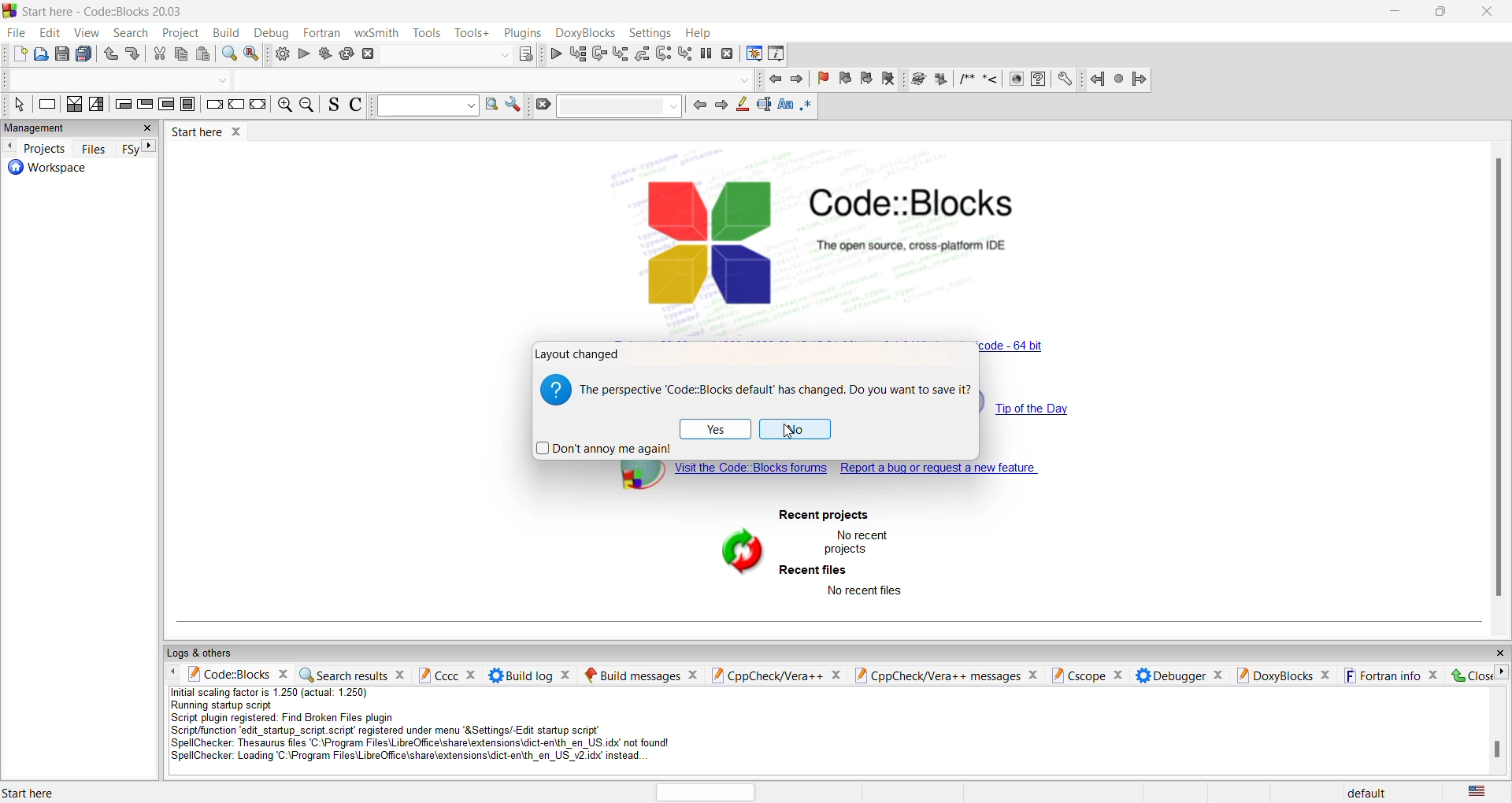 Image resolution: width=1512 pixels, height=803 pixels. I want to click on search result pane, so click(342, 675).